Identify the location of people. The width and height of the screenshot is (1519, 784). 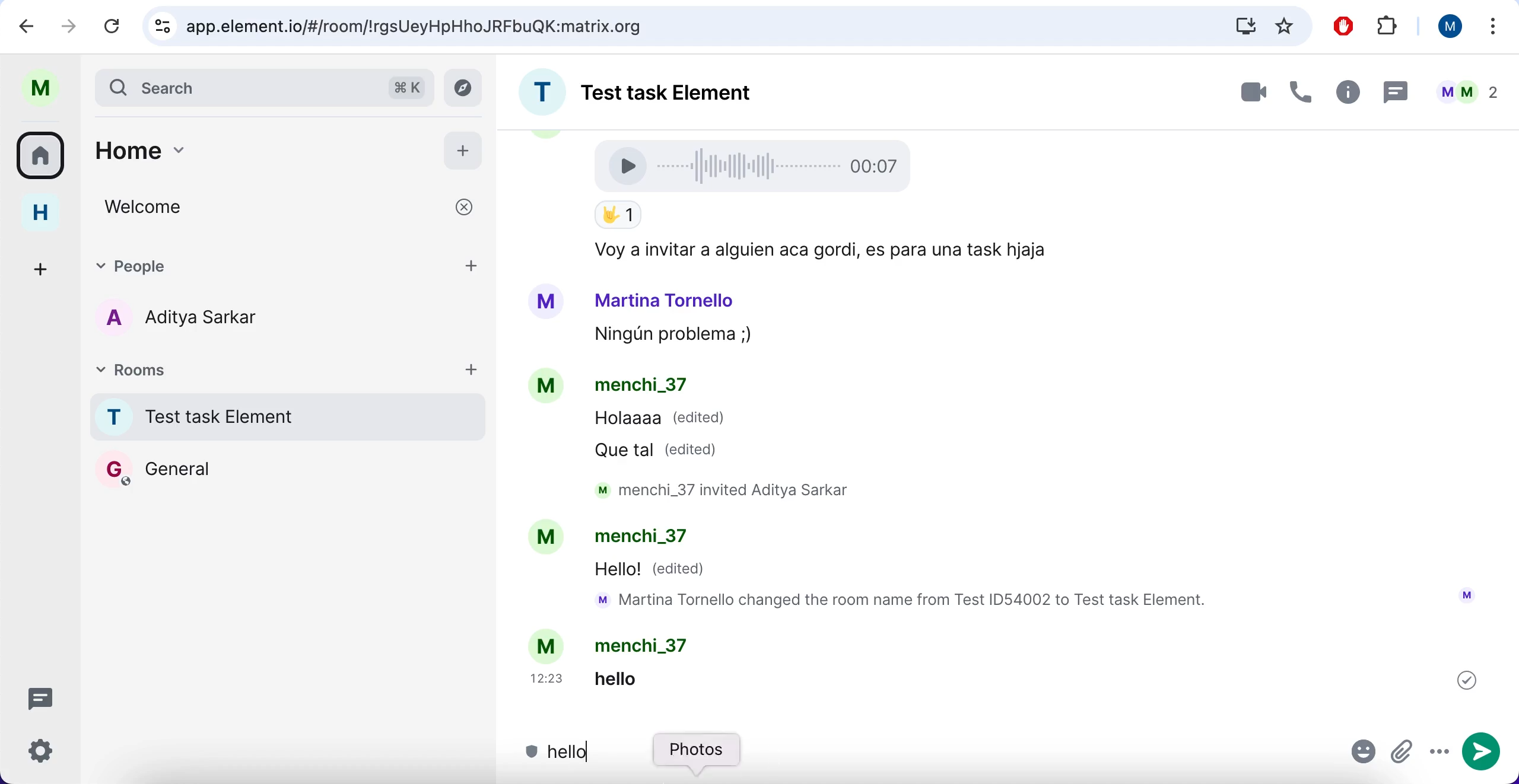
(1467, 92).